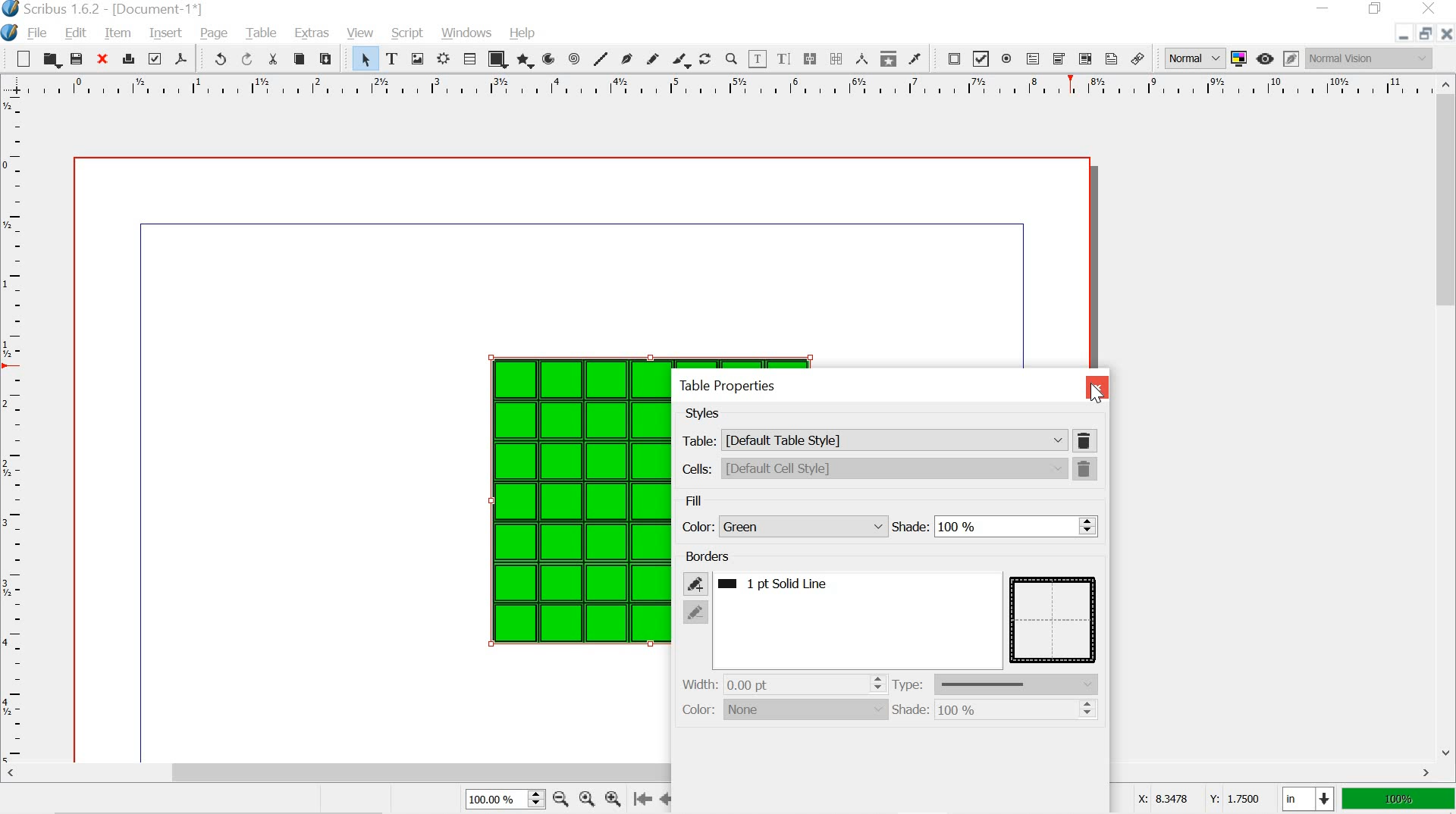 Image resolution: width=1456 pixels, height=814 pixels. I want to click on restore down, so click(1423, 32).